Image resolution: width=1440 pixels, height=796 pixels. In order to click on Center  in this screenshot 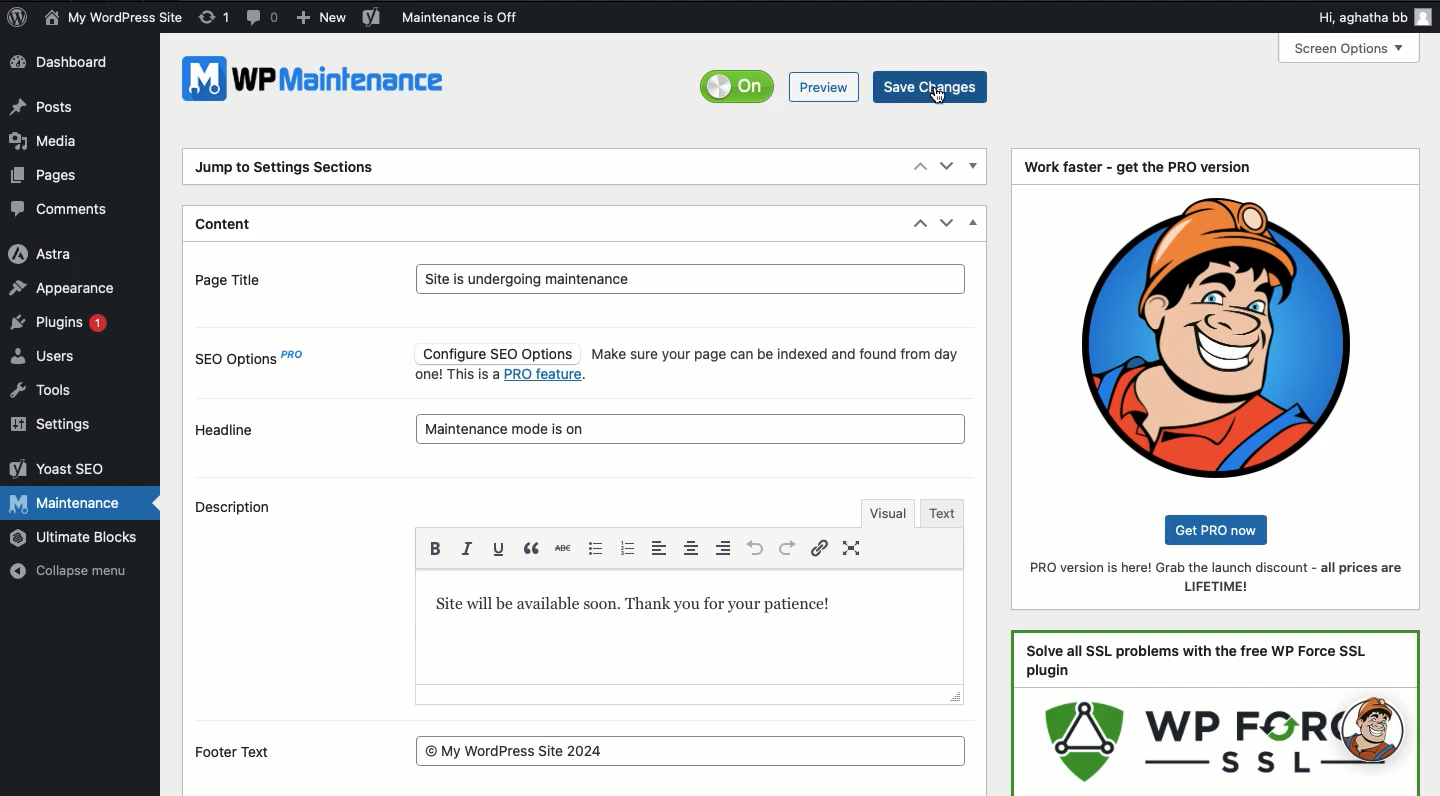, I will do `click(694, 548)`.